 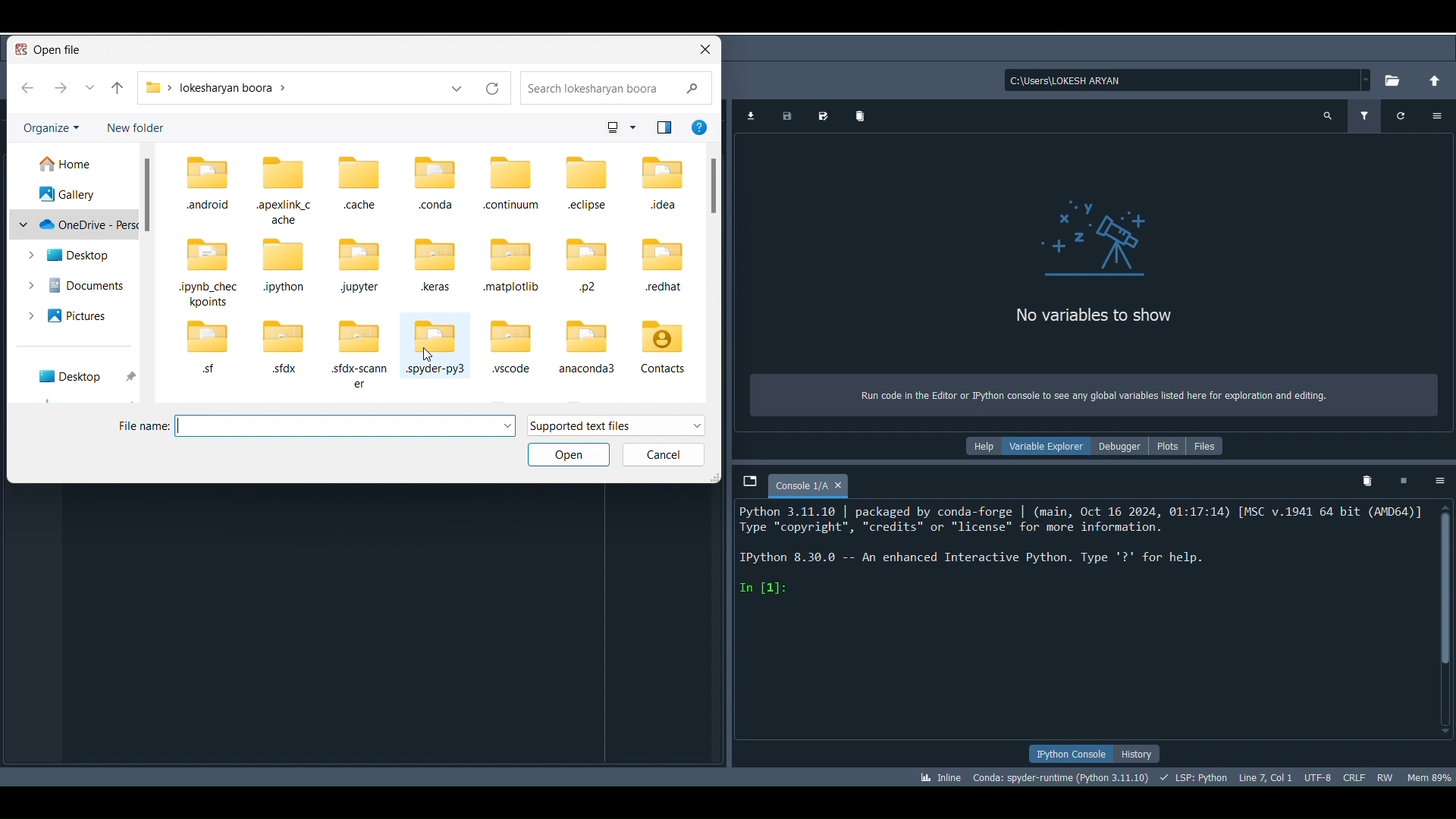 What do you see at coordinates (209, 271) in the screenshot?
I see `Folder` at bounding box center [209, 271].